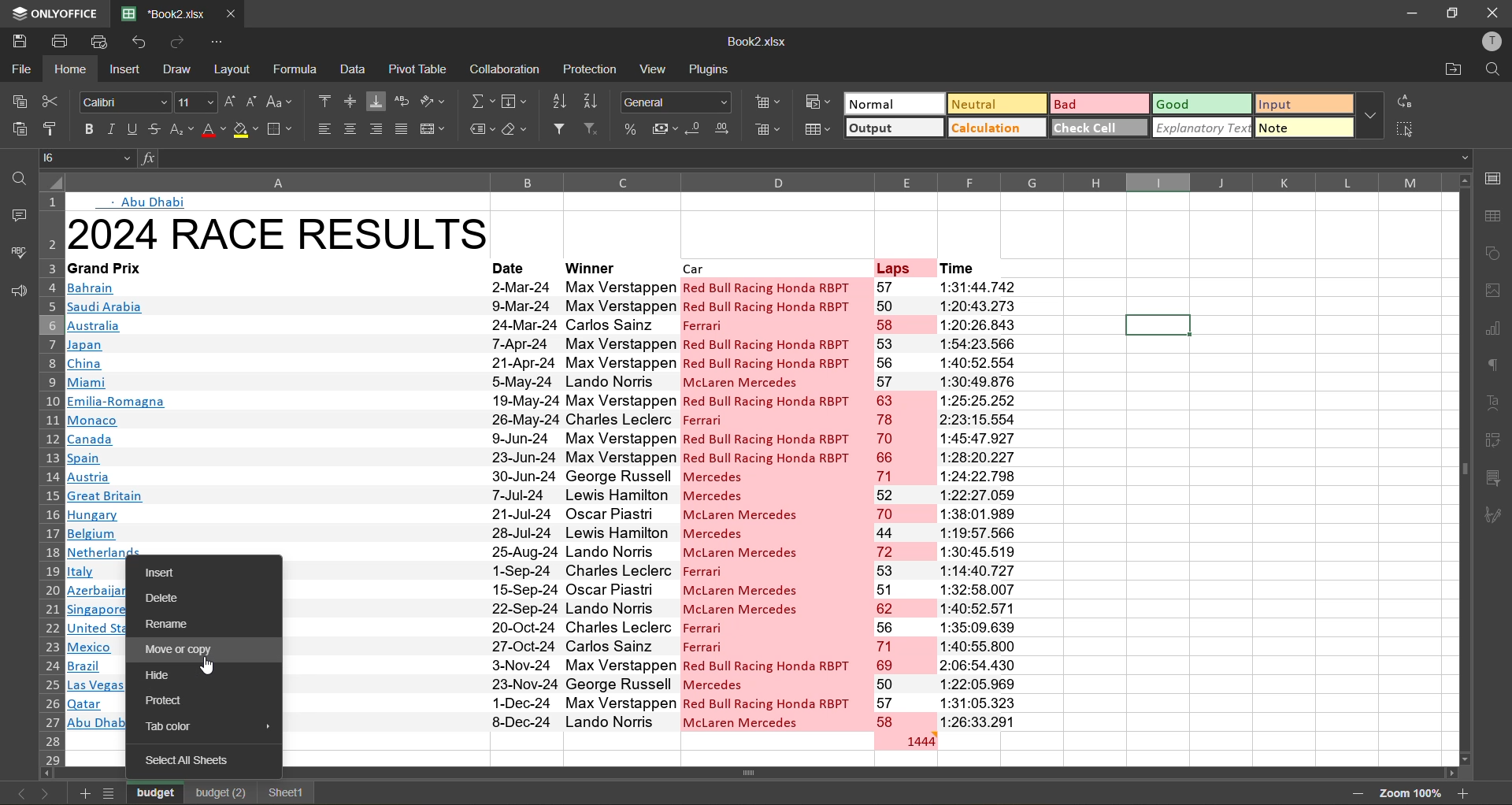 This screenshot has width=1512, height=805. What do you see at coordinates (376, 100) in the screenshot?
I see `align bottom` at bounding box center [376, 100].